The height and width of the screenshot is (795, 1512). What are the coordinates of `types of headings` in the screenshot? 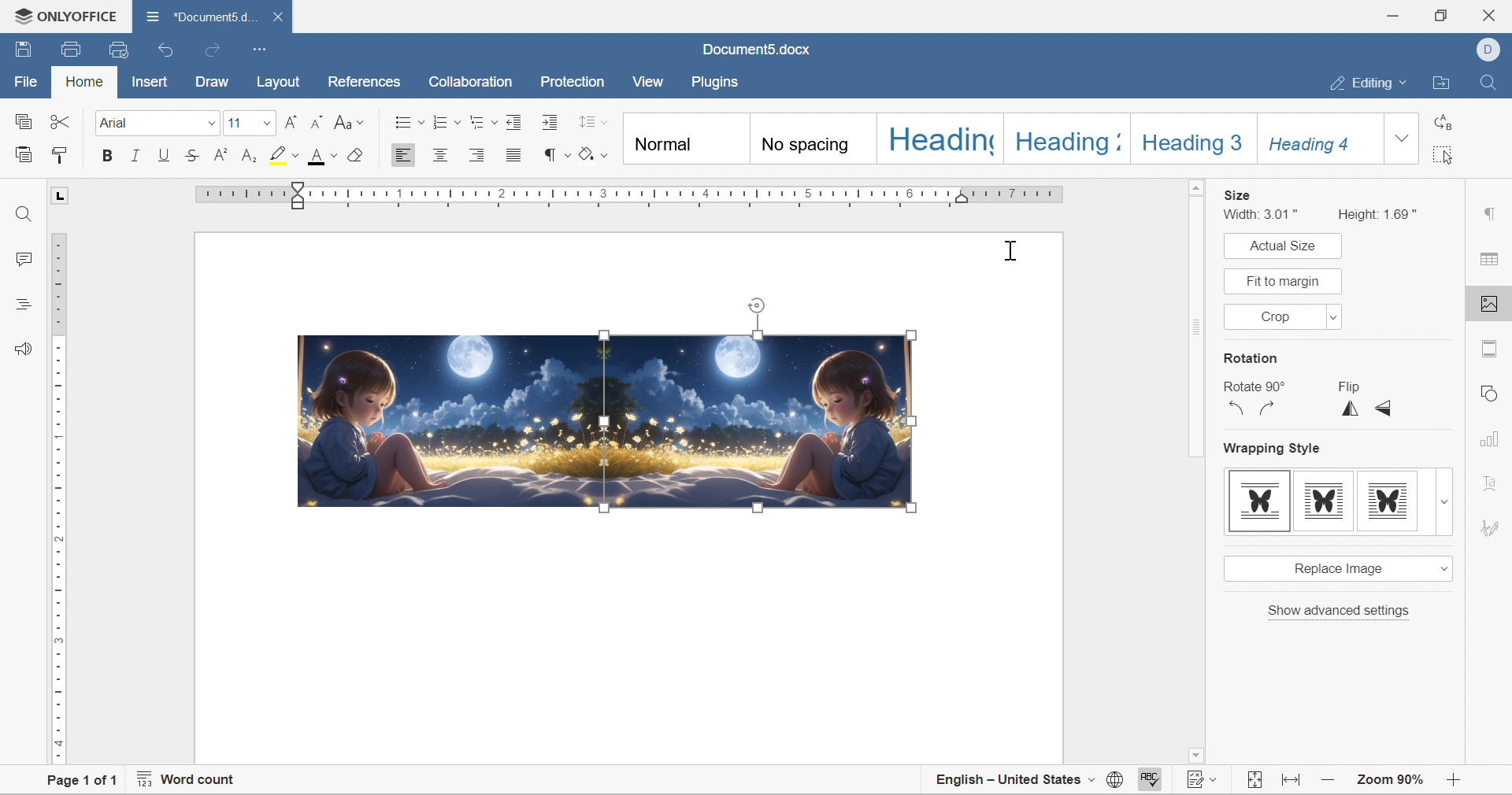 It's located at (999, 139).